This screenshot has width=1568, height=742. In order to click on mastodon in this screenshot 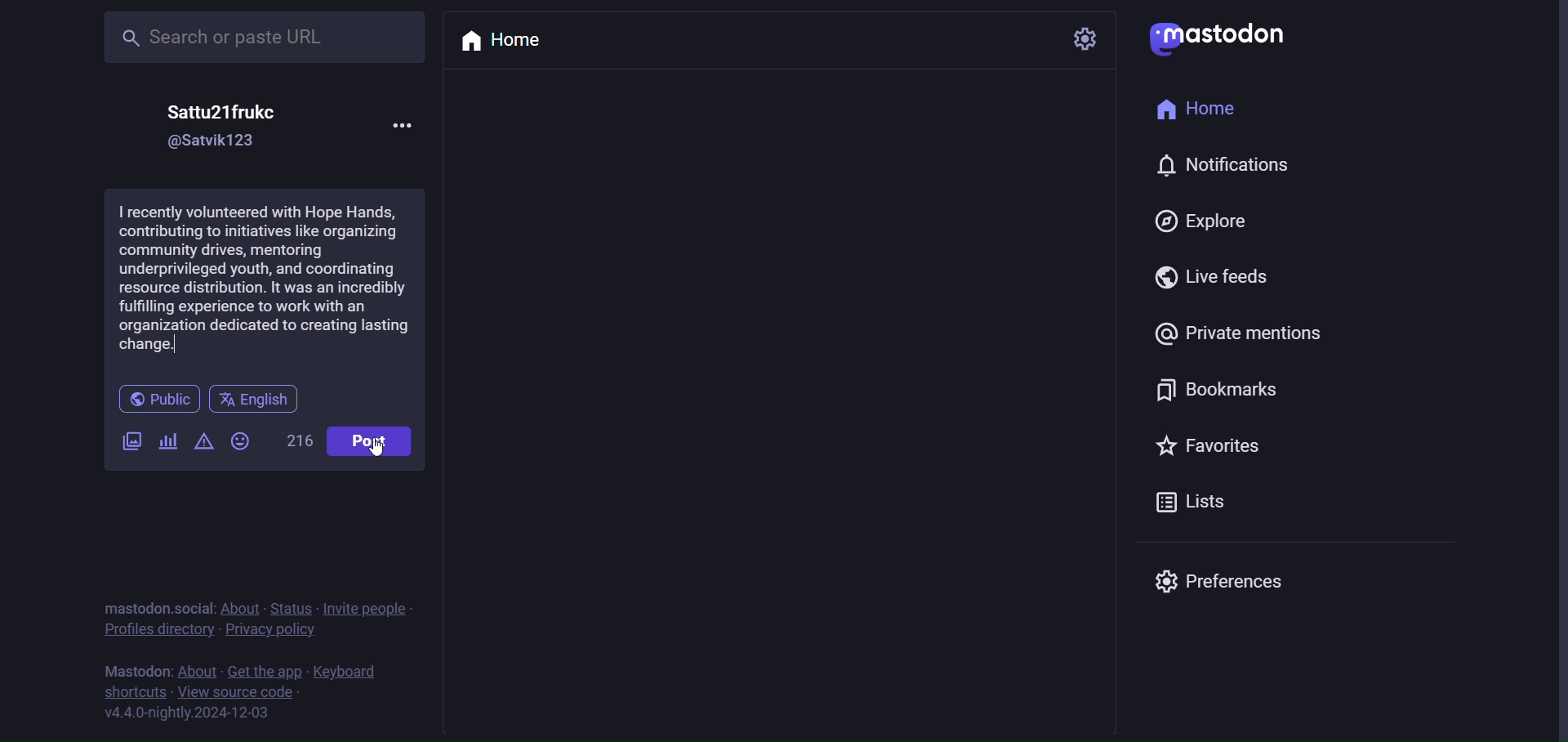, I will do `click(1228, 38)`.